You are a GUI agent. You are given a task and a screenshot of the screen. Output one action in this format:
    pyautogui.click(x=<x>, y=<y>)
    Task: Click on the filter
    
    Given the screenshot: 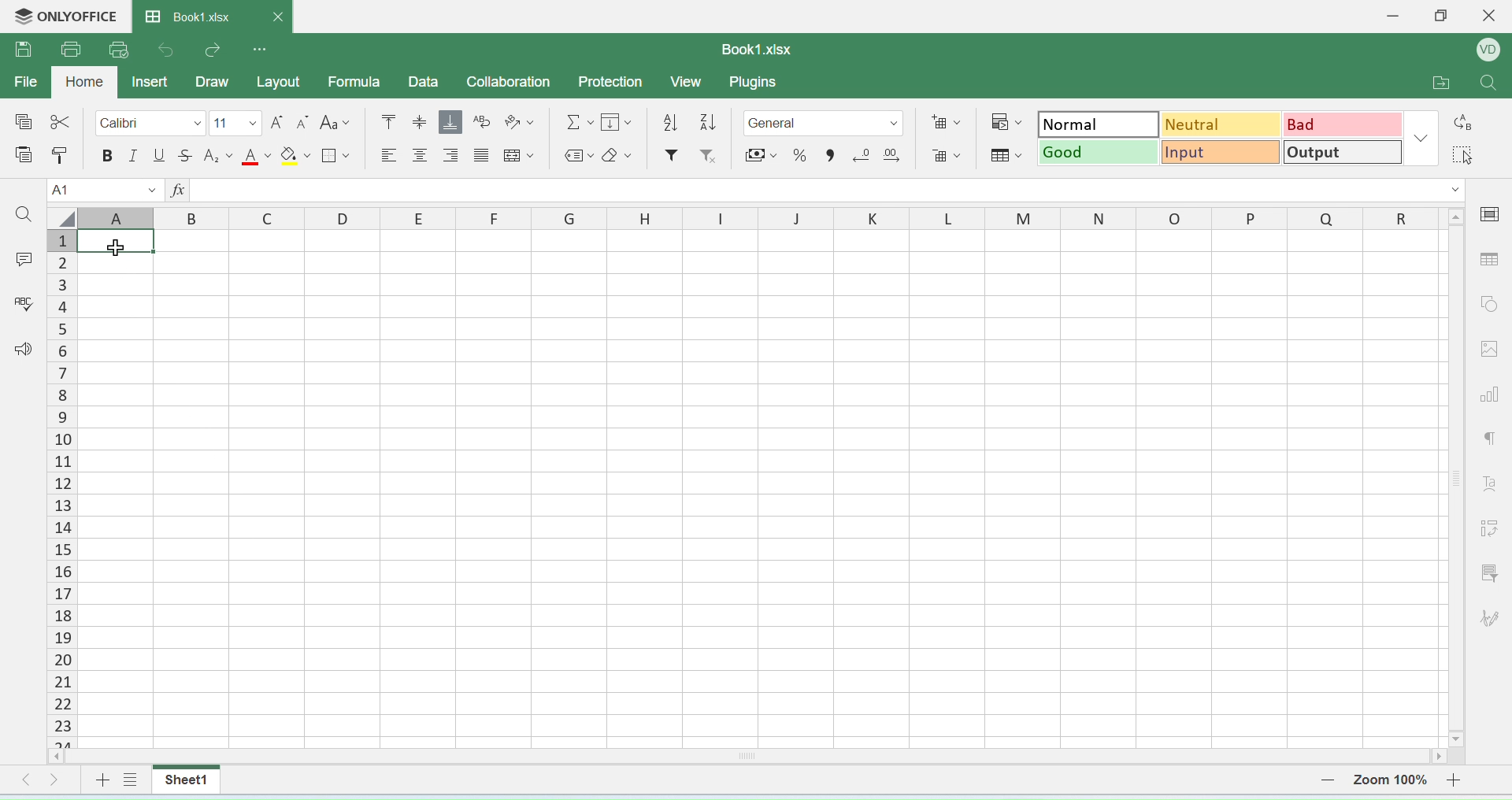 What is the action you would take?
    pyautogui.click(x=672, y=155)
    